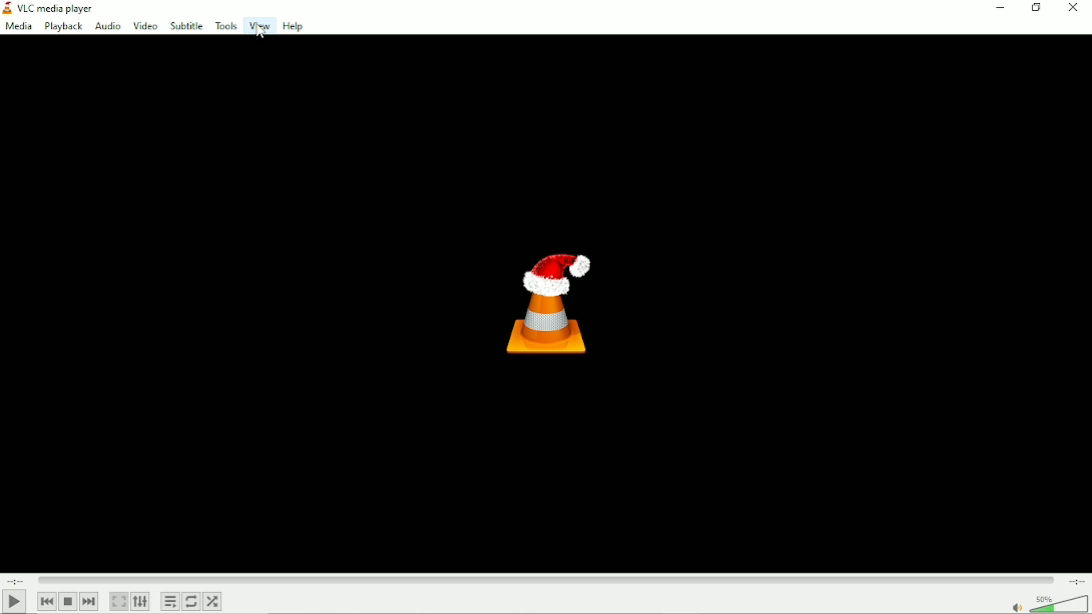  What do you see at coordinates (14, 602) in the screenshot?
I see `Play` at bounding box center [14, 602].